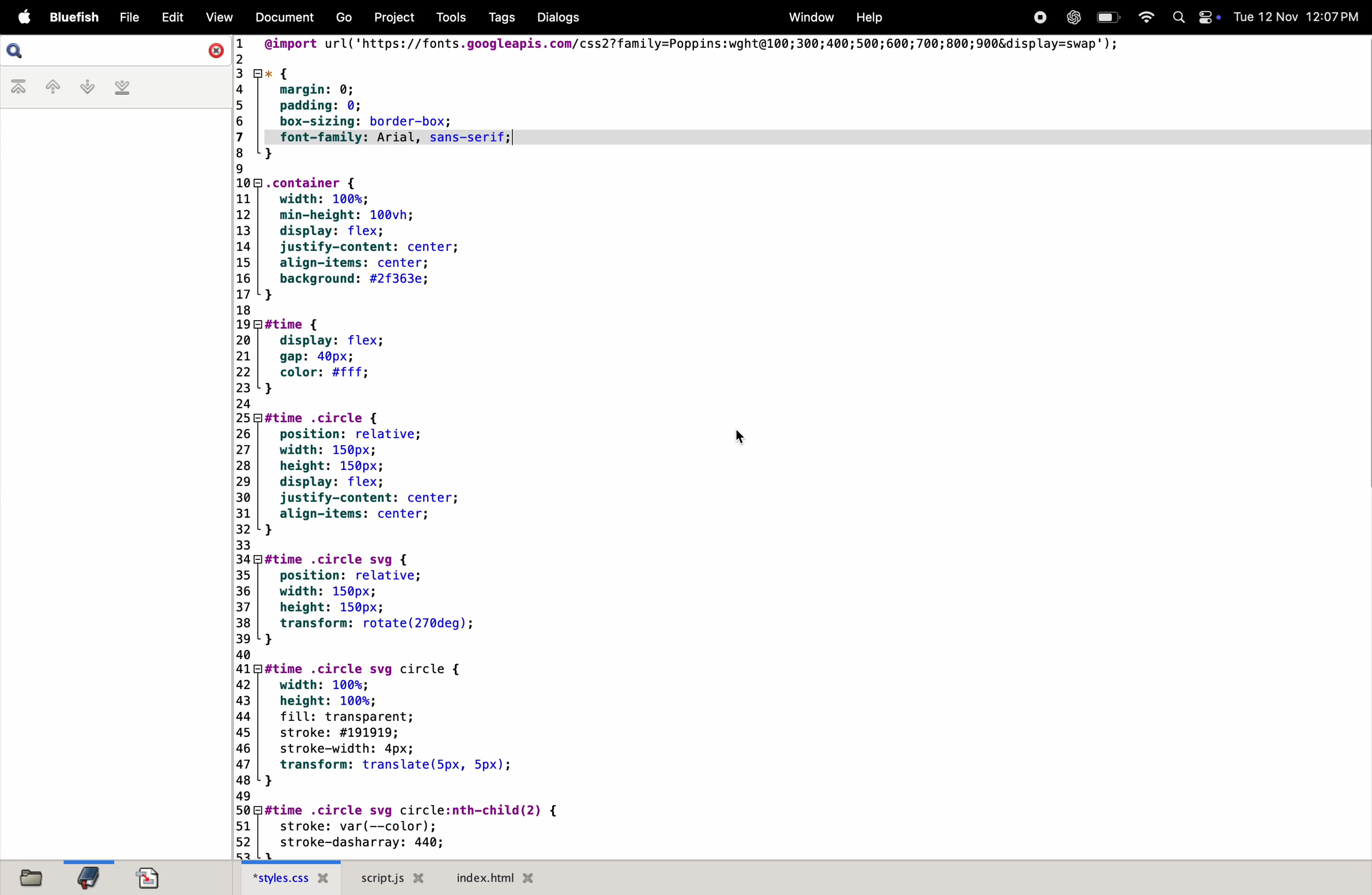  Describe the element at coordinates (127, 17) in the screenshot. I see `file` at that location.